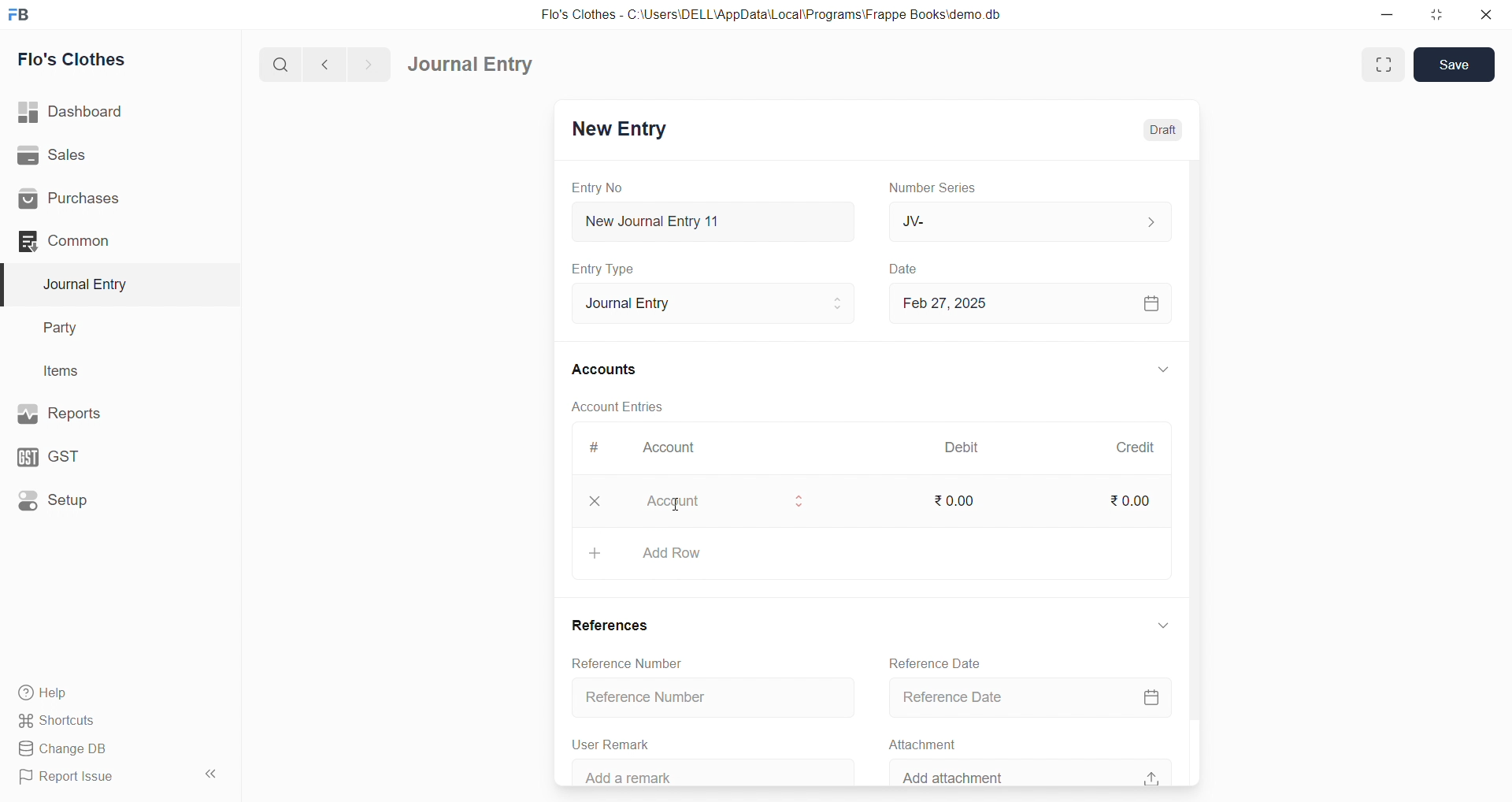 The width and height of the screenshot is (1512, 802). Describe the element at coordinates (94, 780) in the screenshot. I see `Report Issue` at that location.